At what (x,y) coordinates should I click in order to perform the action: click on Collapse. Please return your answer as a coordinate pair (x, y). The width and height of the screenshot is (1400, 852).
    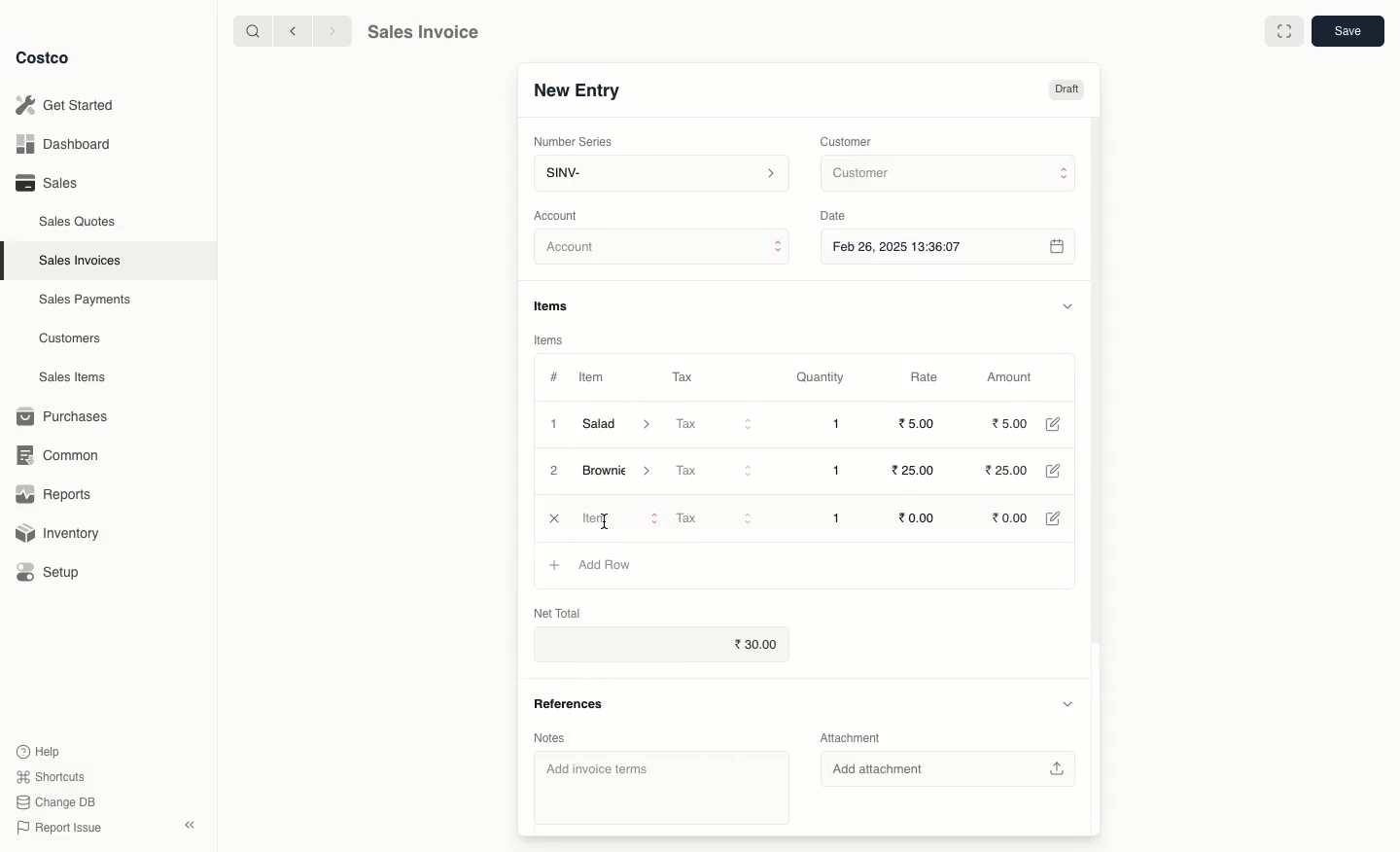
    Looking at the image, I should click on (192, 826).